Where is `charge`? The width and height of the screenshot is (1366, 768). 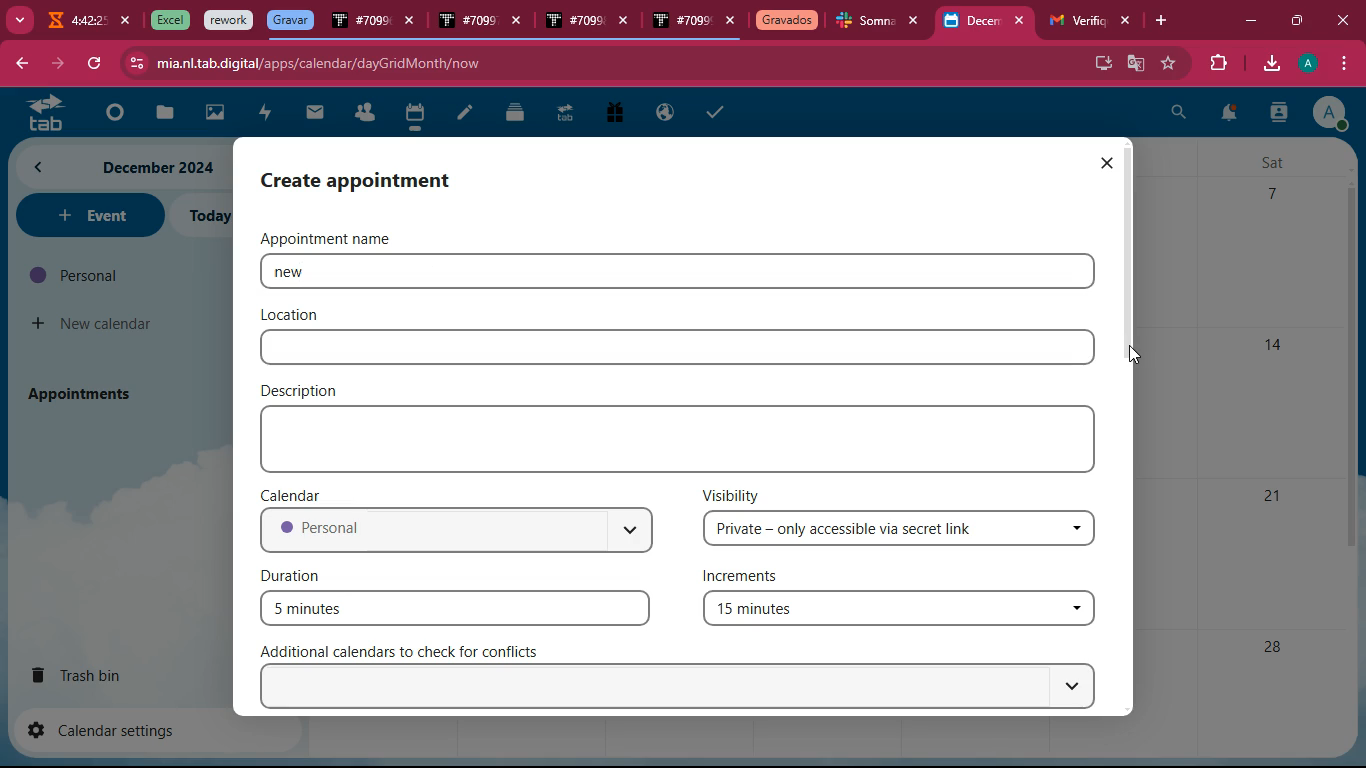
charge is located at coordinates (264, 114).